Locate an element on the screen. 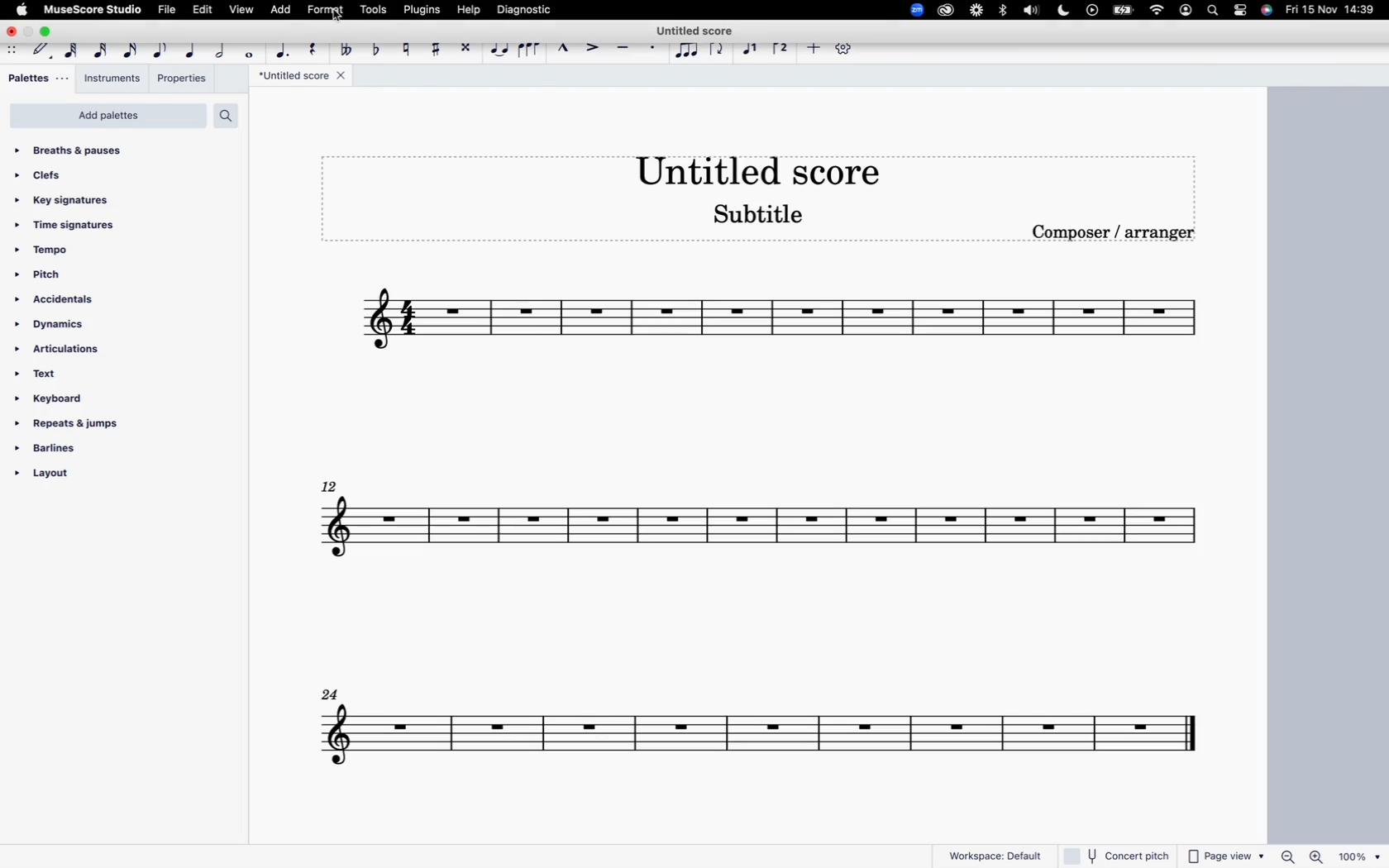  edit is located at coordinates (204, 12).